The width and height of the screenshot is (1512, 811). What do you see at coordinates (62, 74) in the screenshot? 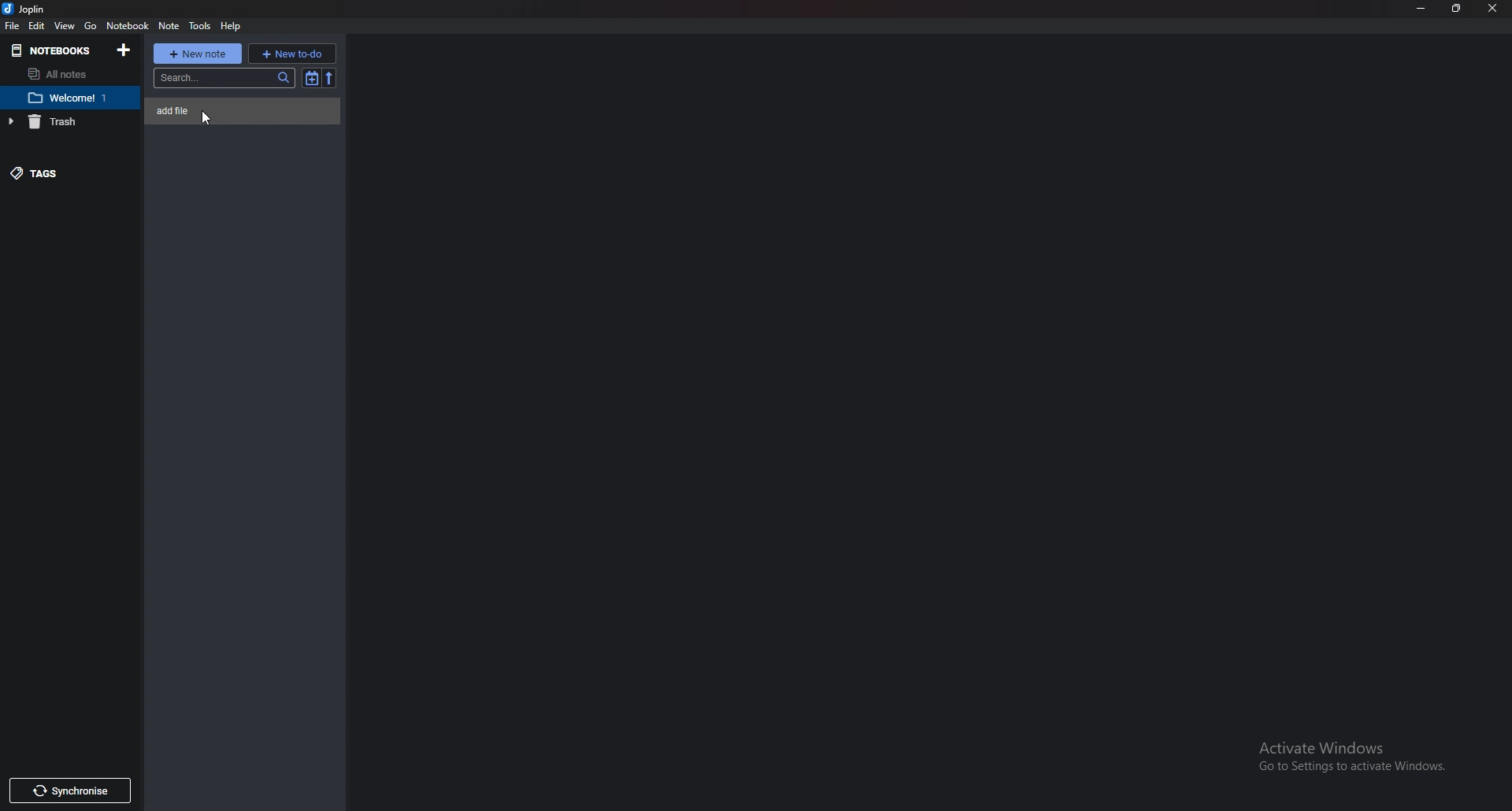
I see `All notes` at bounding box center [62, 74].